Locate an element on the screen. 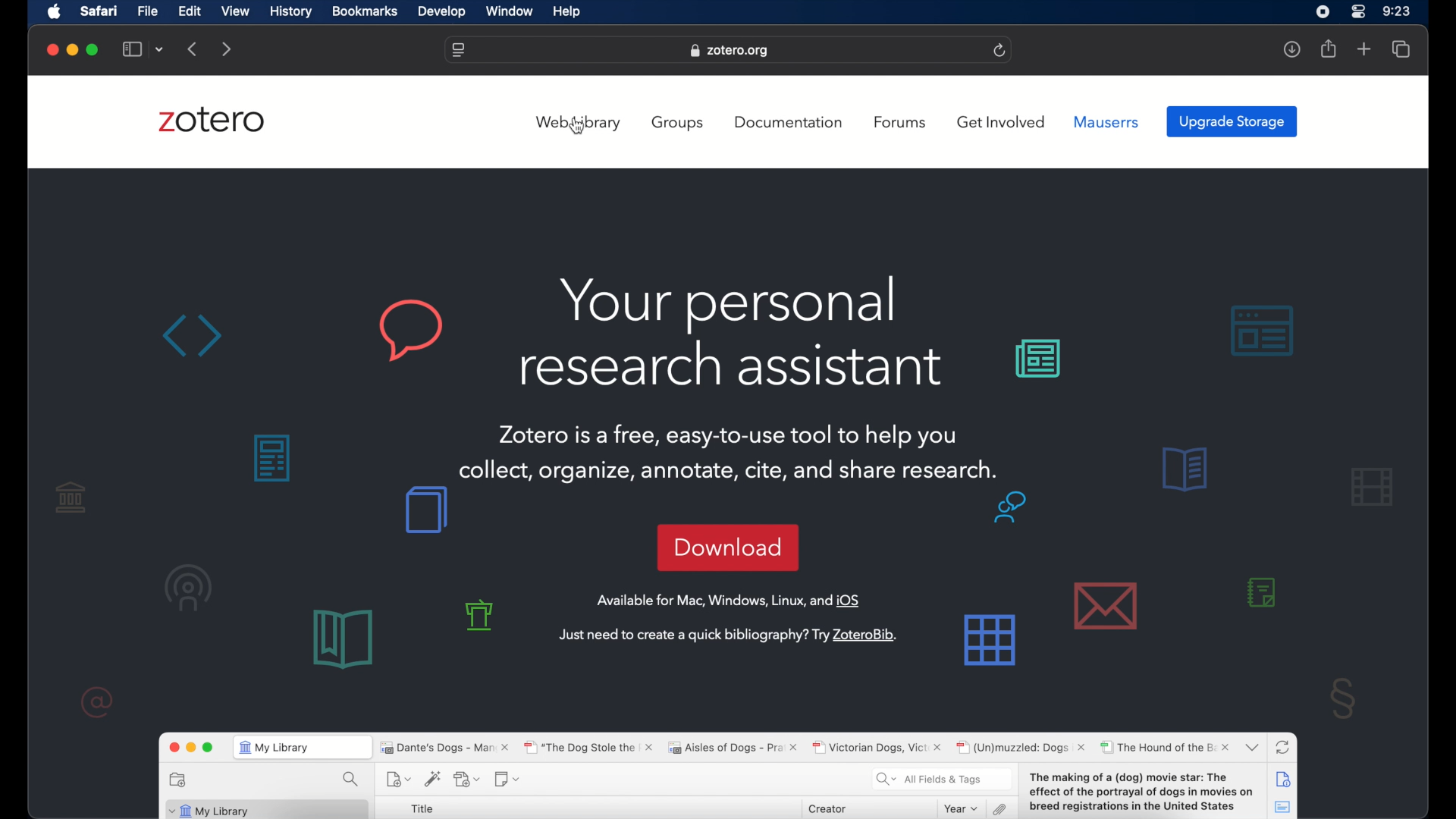 This screenshot has height=819, width=1456. upgrade storage is located at coordinates (1232, 121).